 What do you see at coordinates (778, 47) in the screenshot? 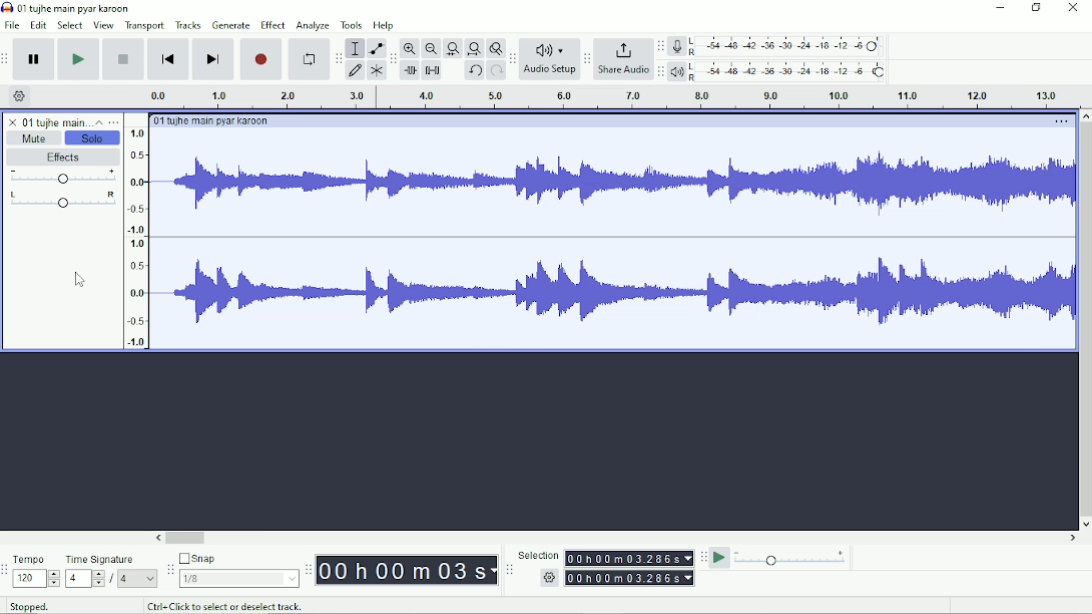
I see `Record meter` at bounding box center [778, 47].